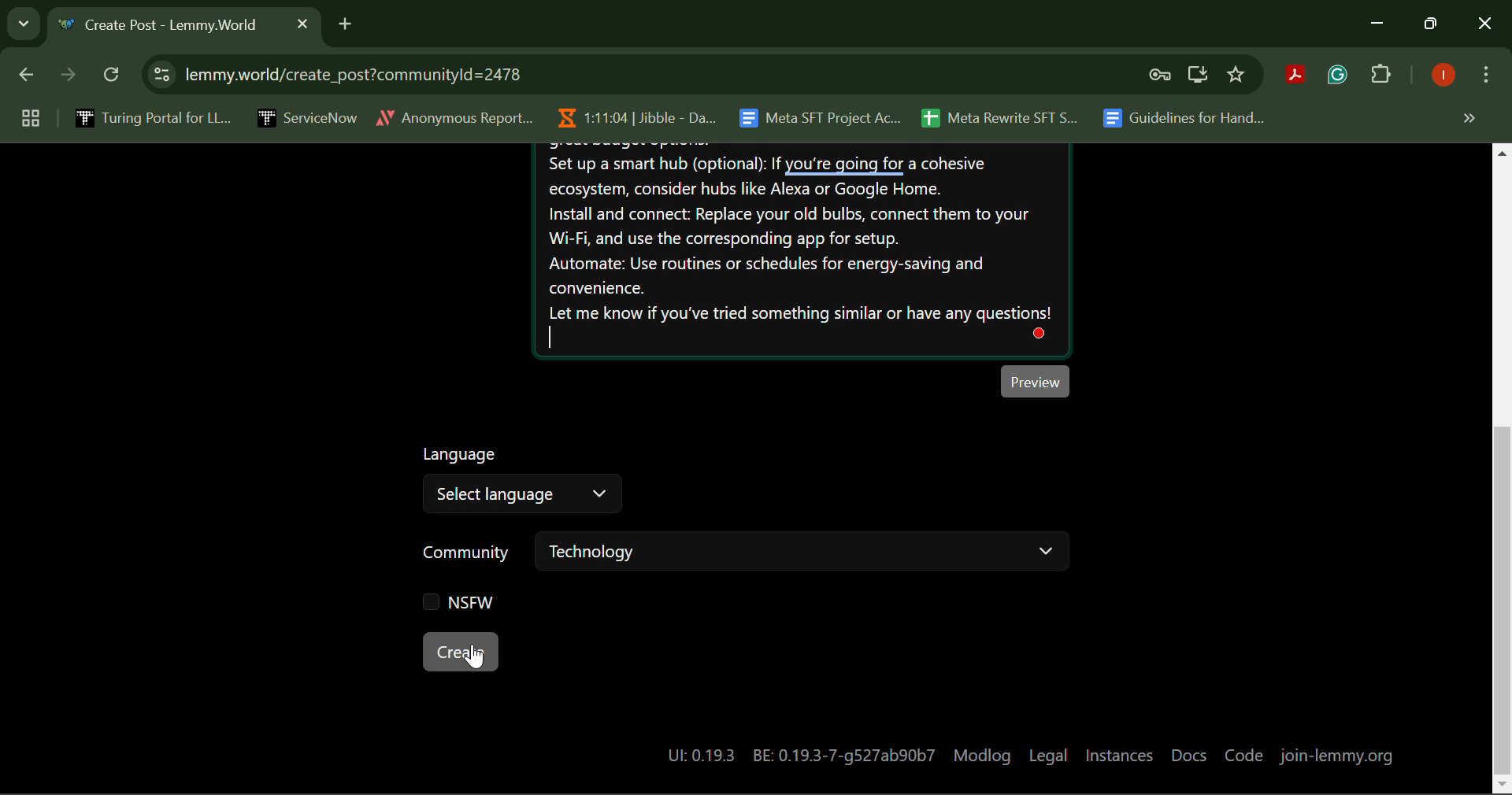 The image size is (1512, 795). What do you see at coordinates (113, 76) in the screenshot?
I see `Refresh Page ` at bounding box center [113, 76].